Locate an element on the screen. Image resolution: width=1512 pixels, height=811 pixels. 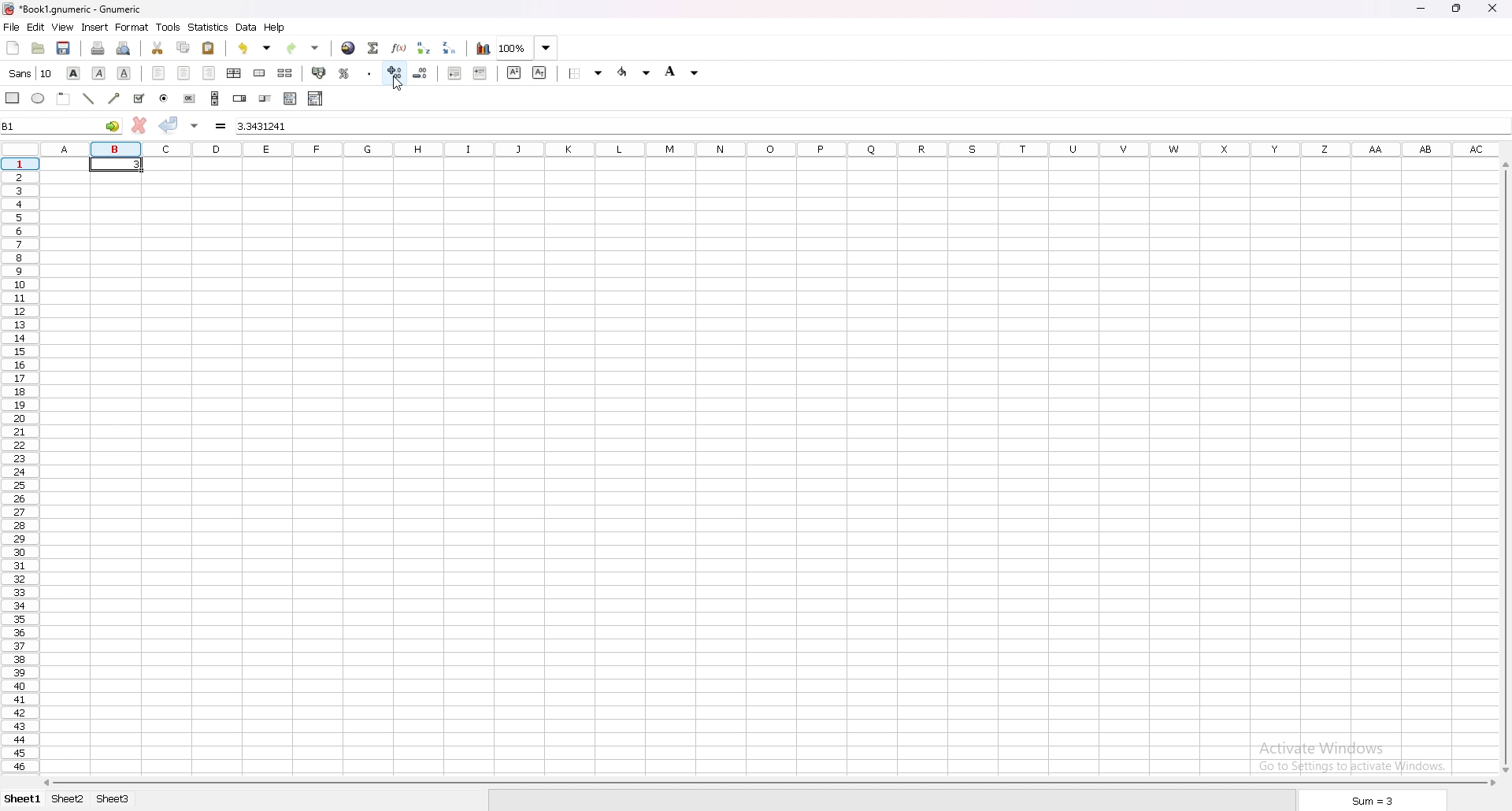
edit is located at coordinates (35, 28).